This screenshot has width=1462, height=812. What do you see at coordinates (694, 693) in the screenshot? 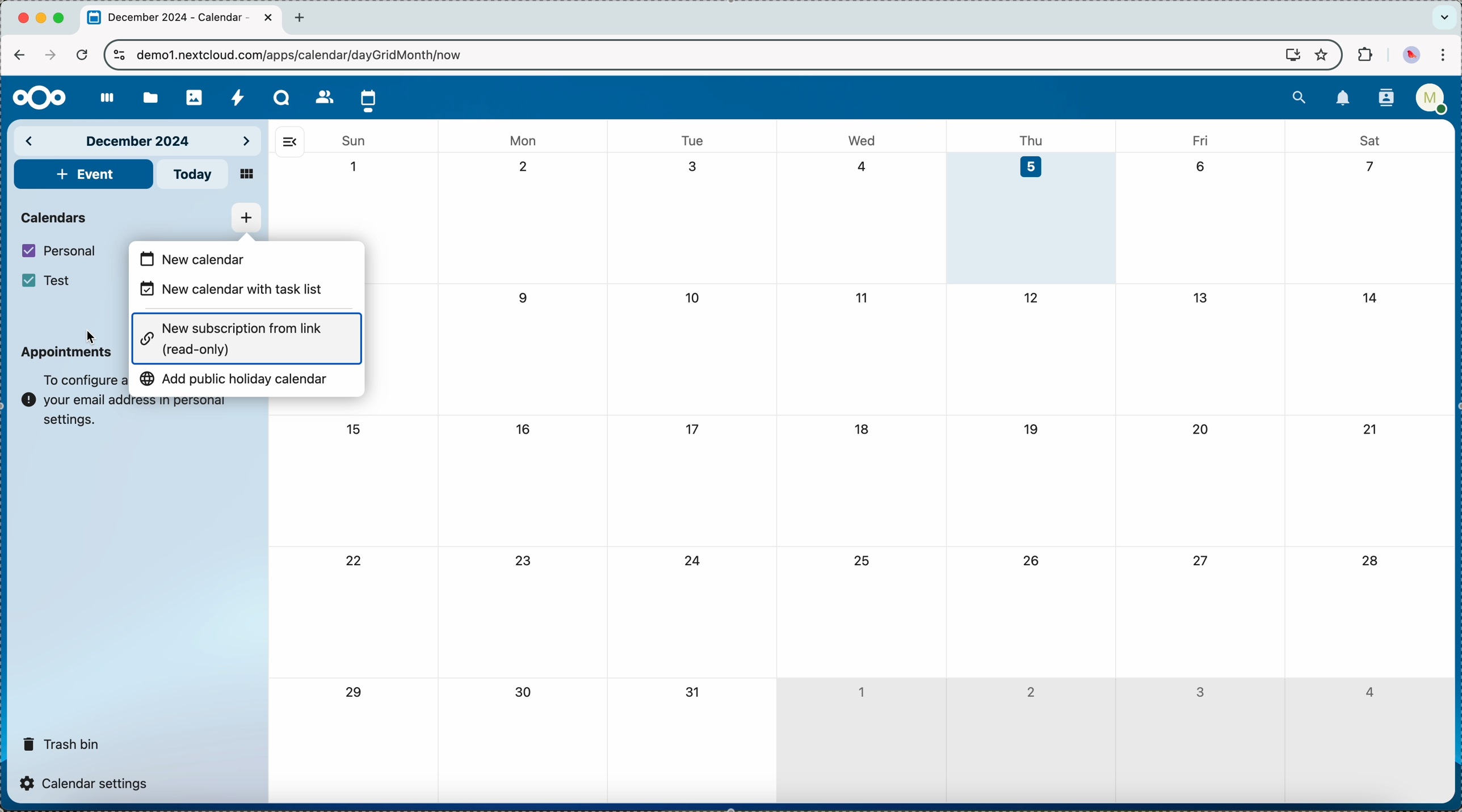
I see `31` at bounding box center [694, 693].